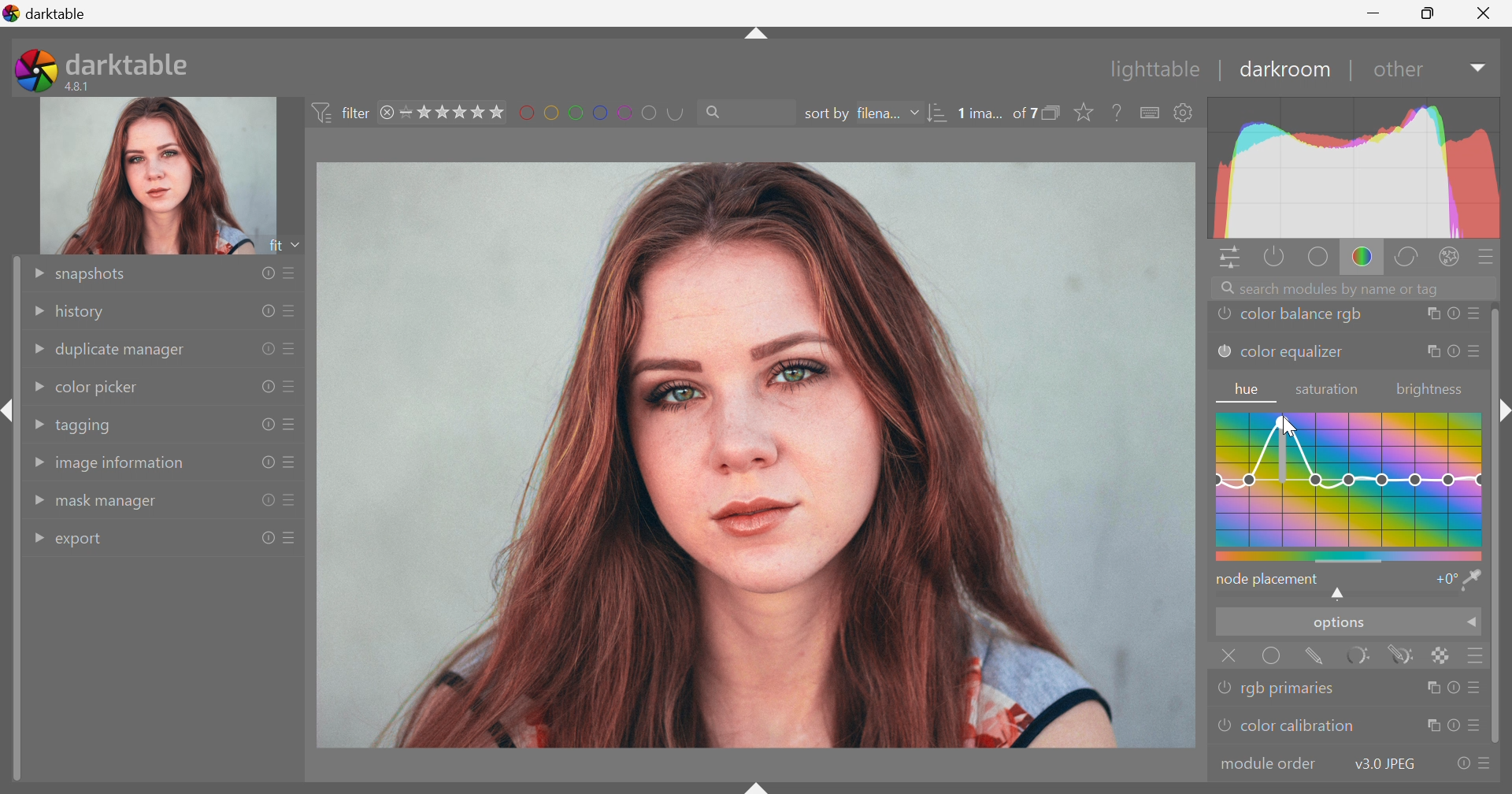 The height and width of the screenshot is (794, 1512). I want to click on Search modules by name or tags, so click(1357, 288).